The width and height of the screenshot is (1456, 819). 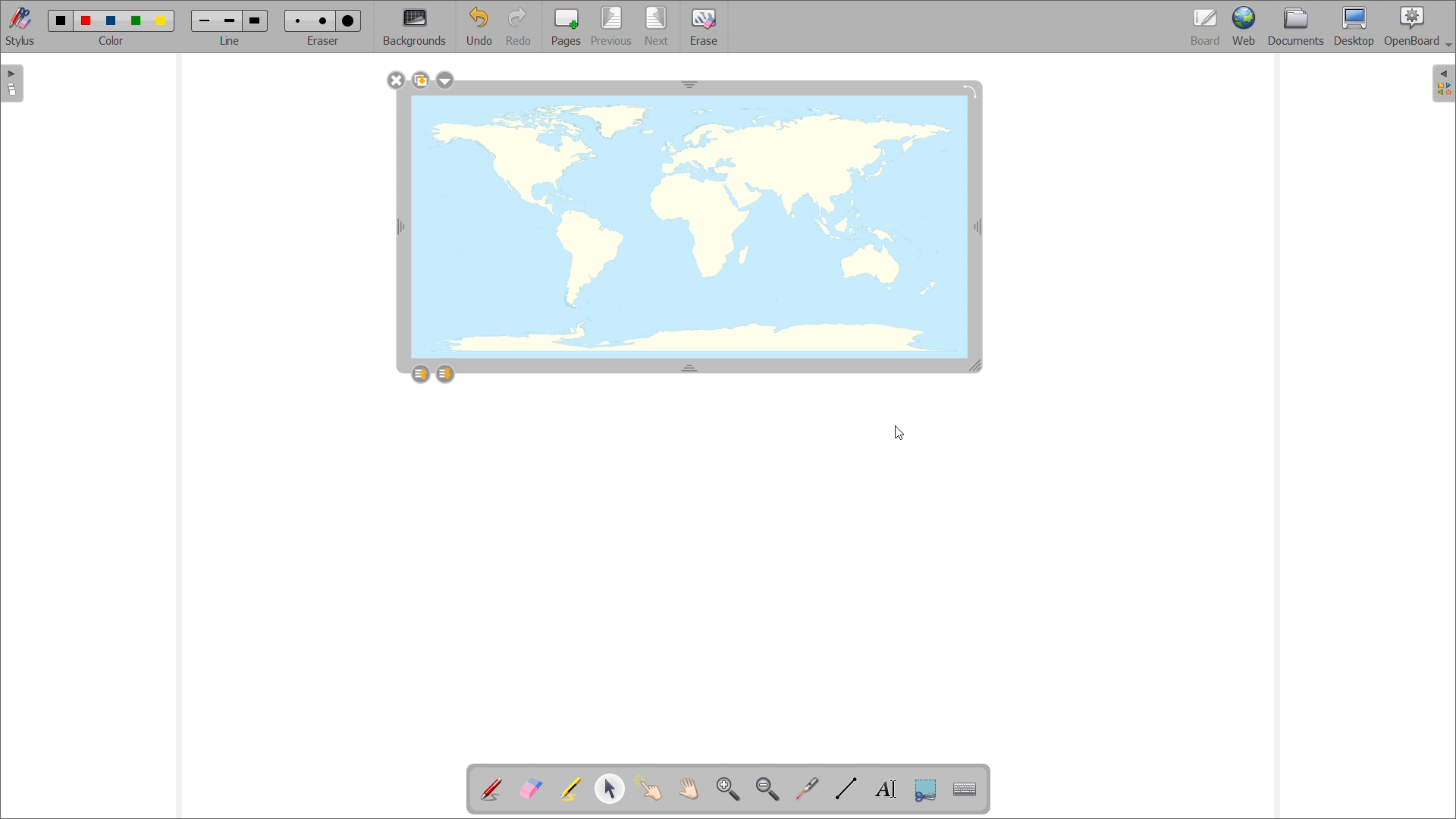 What do you see at coordinates (690, 366) in the screenshot?
I see `resize` at bounding box center [690, 366].